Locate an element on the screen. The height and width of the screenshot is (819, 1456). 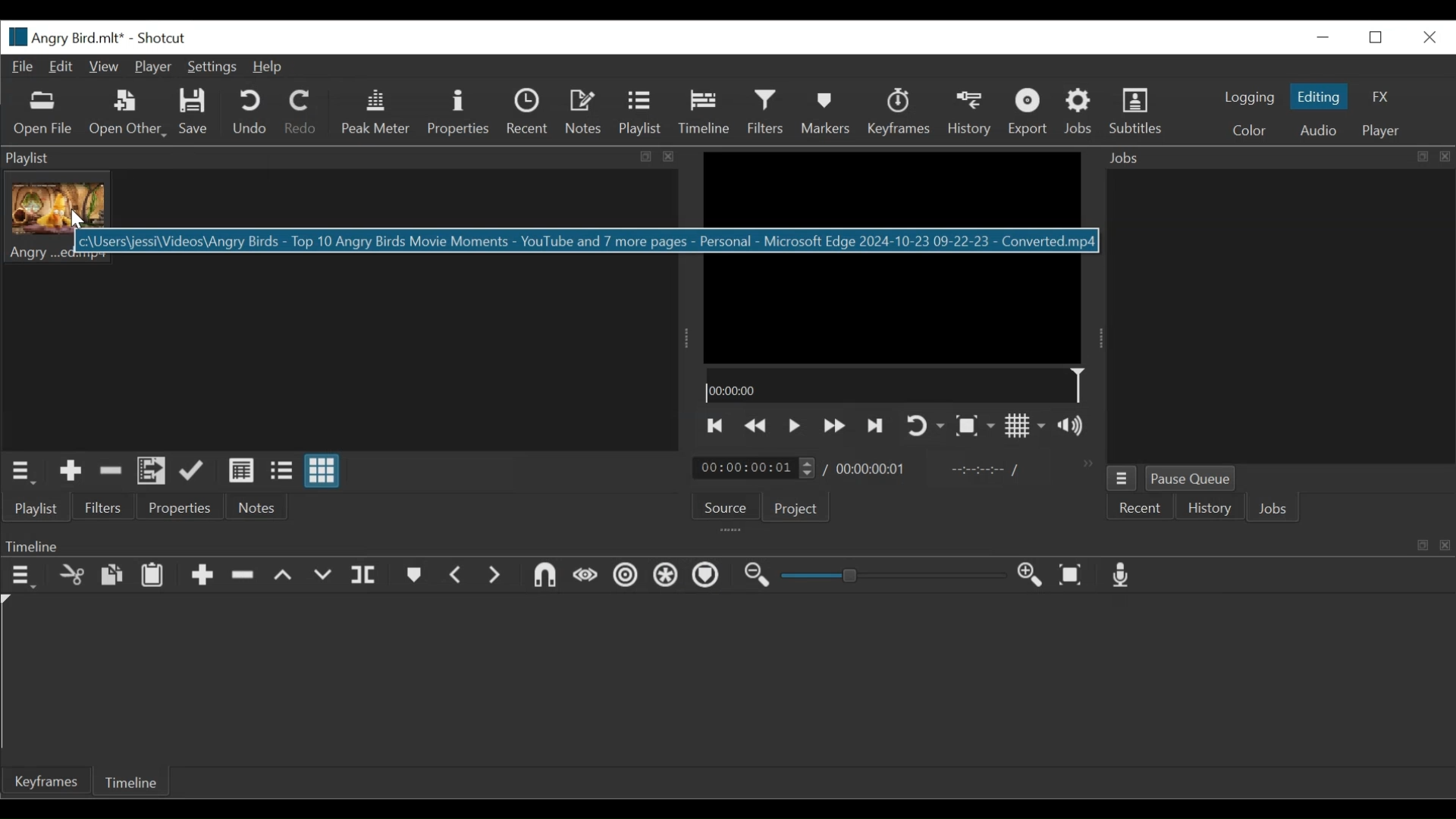
Toggle player looping is located at coordinates (924, 426).